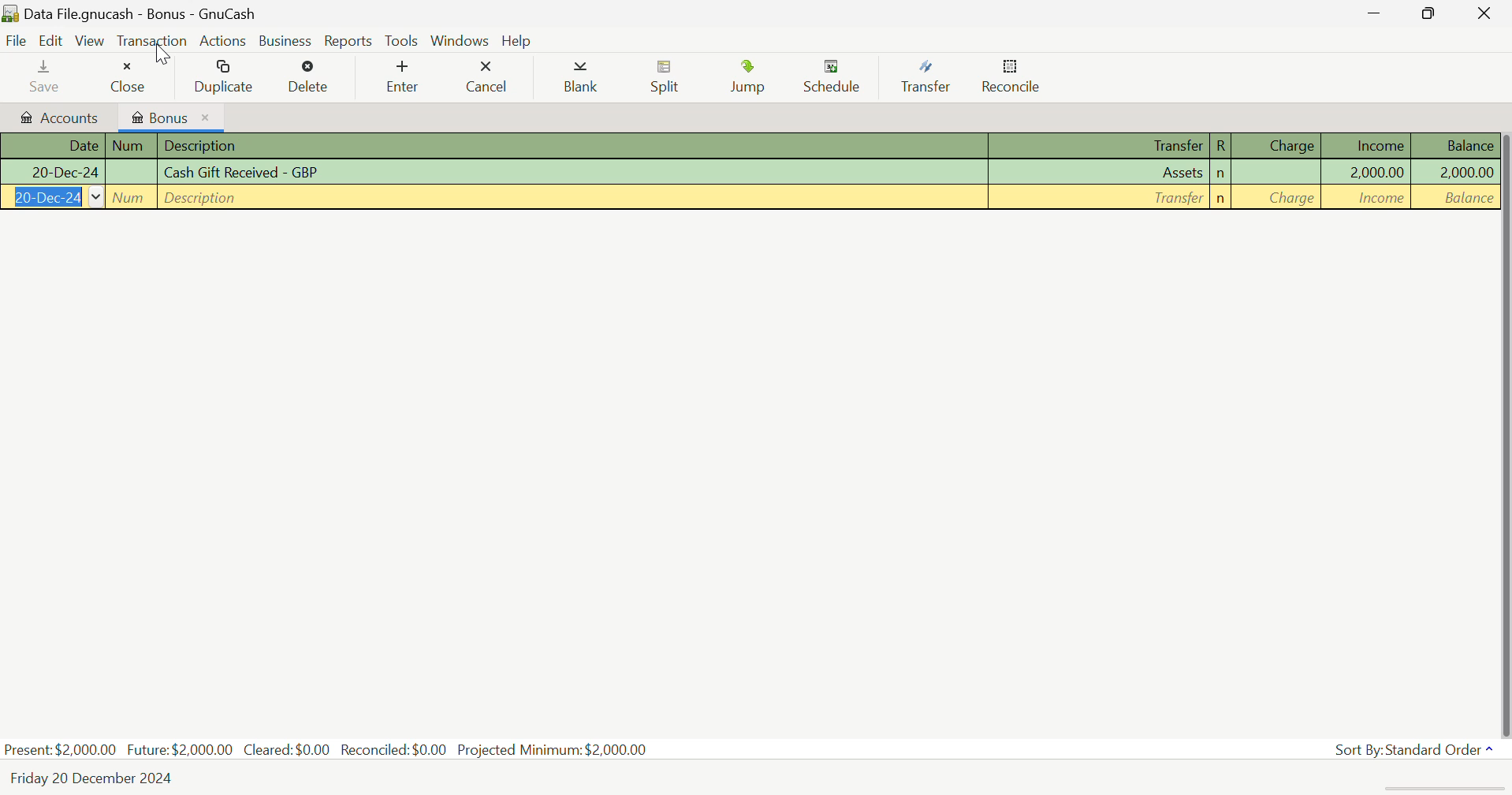 The image size is (1512, 795). What do you see at coordinates (1369, 198) in the screenshot?
I see `Income` at bounding box center [1369, 198].